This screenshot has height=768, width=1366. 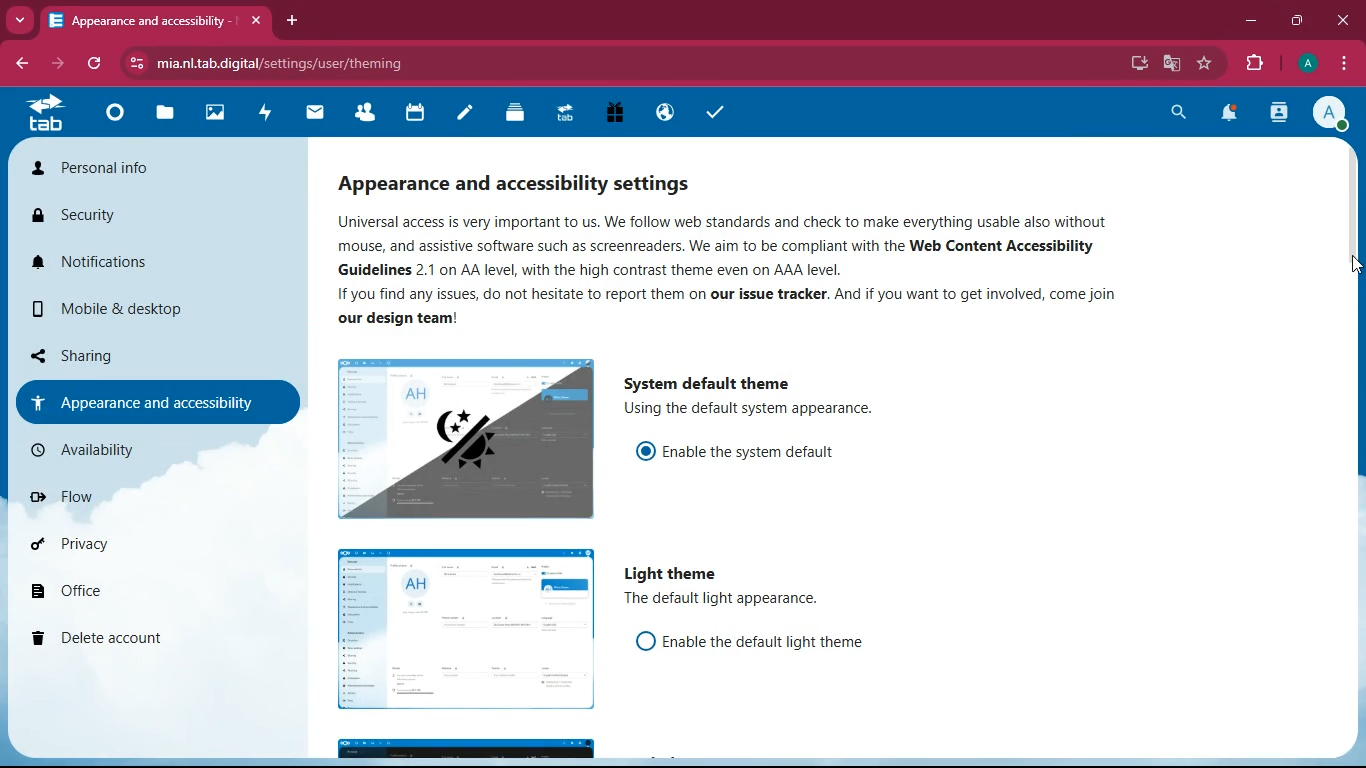 I want to click on security, so click(x=100, y=217).